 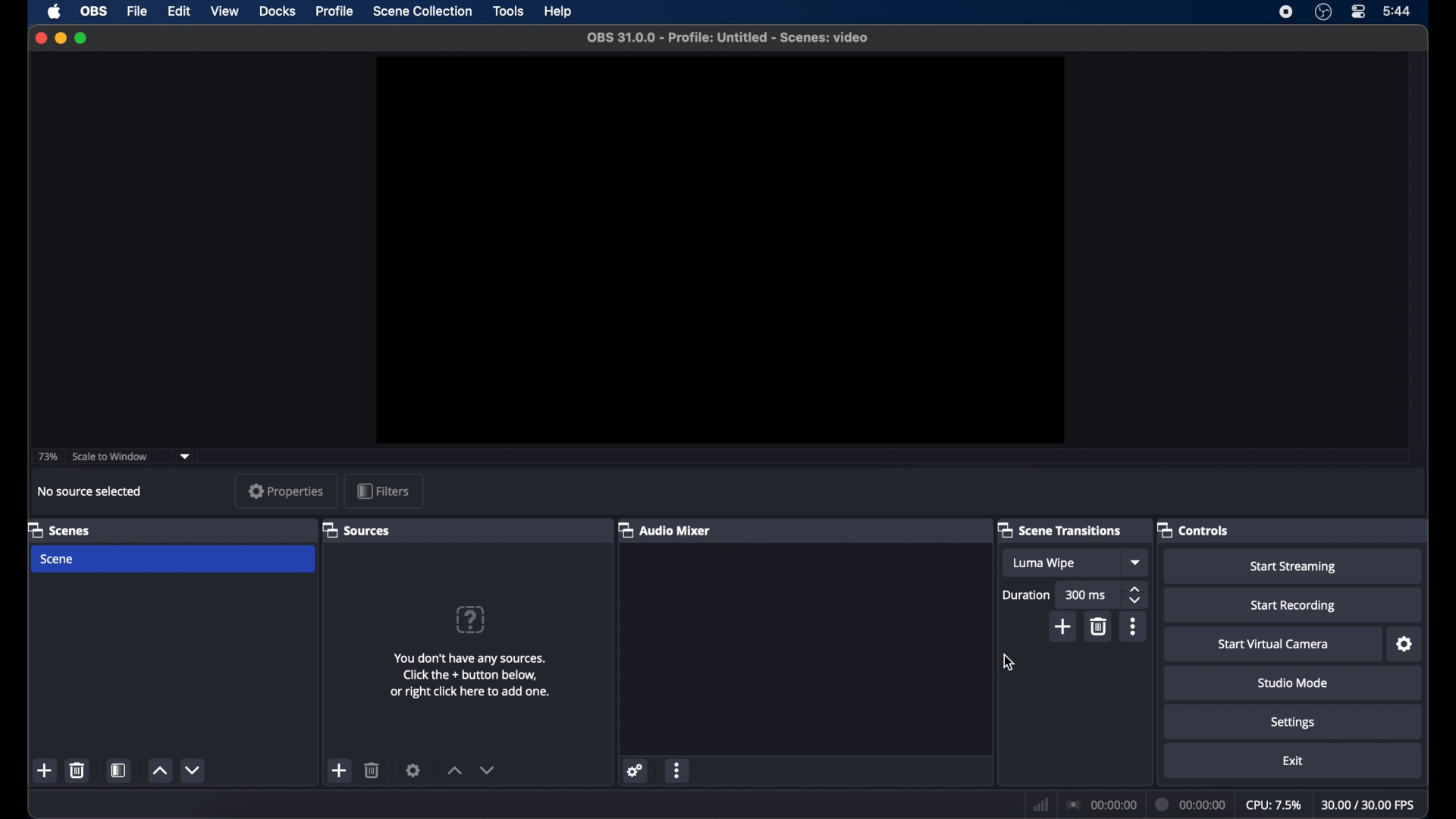 What do you see at coordinates (1294, 566) in the screenshot?
I see `start streaming` at bounding box center [1294, 566].